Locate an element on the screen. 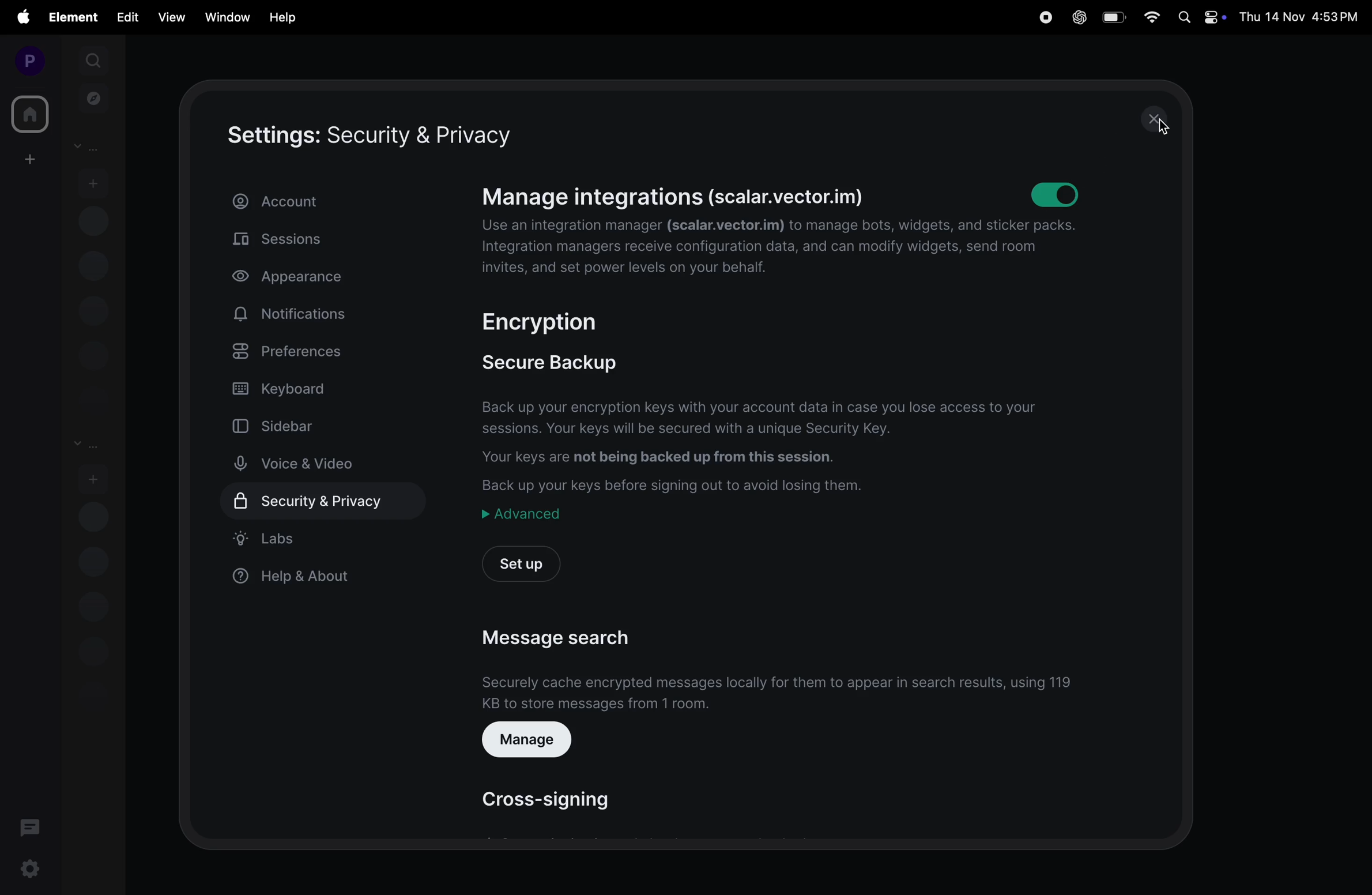  appearance is located at coordinates (288, 281).